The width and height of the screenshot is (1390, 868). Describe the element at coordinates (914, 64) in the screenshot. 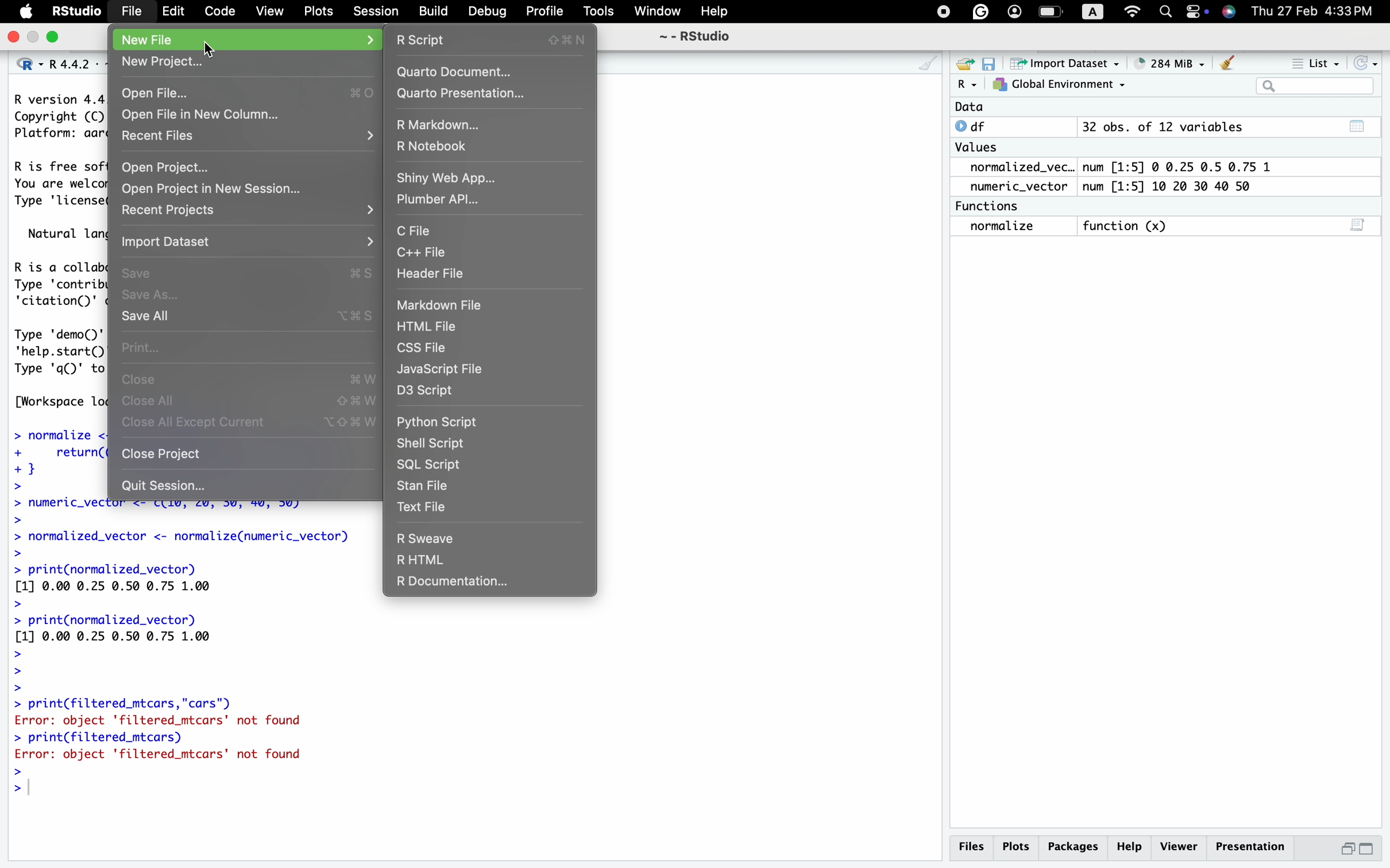

I see `CLEAN UP` at that location.